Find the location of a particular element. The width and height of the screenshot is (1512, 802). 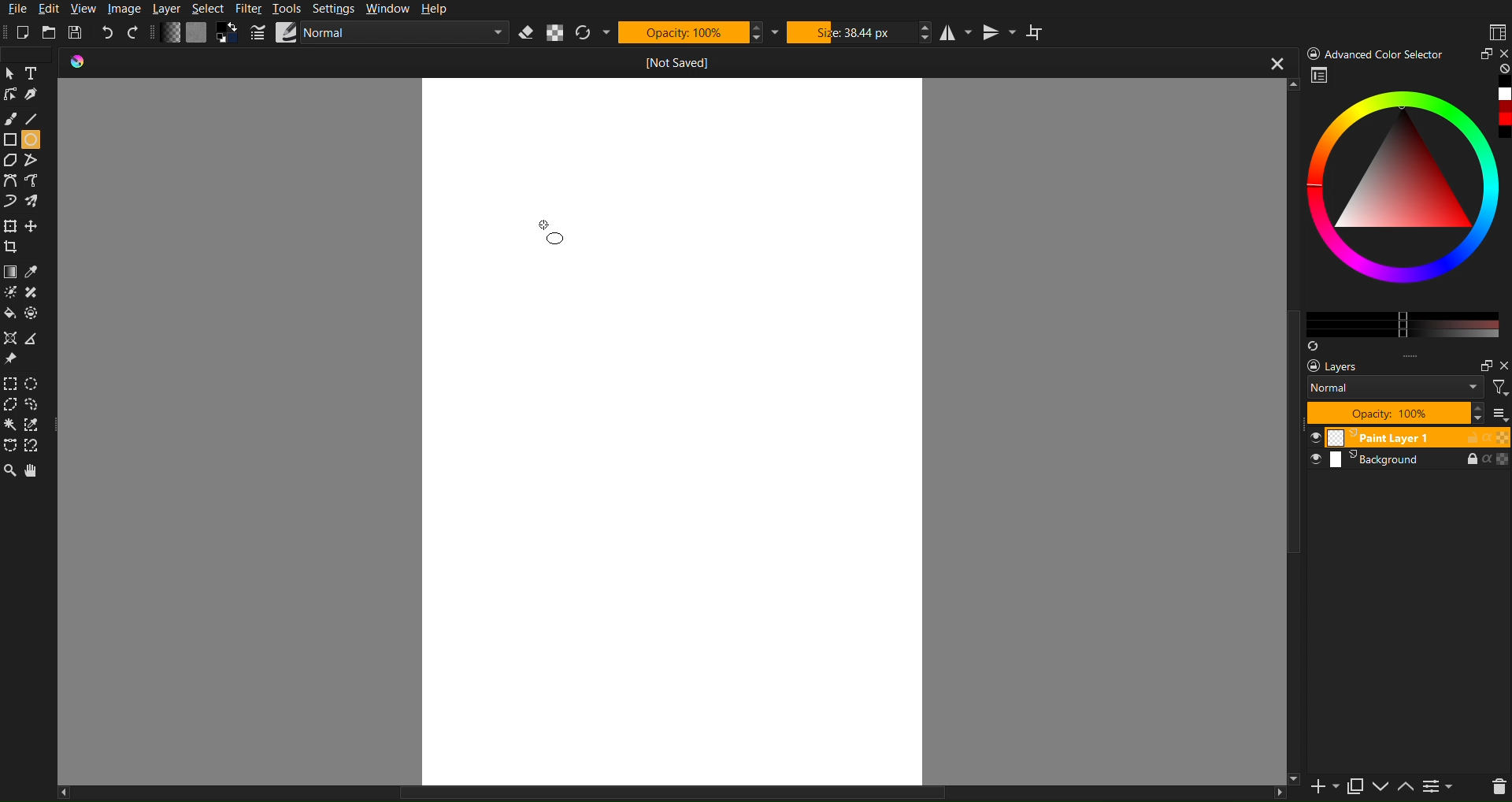

Vertical Mirror is located at coordinates (1004, 32).